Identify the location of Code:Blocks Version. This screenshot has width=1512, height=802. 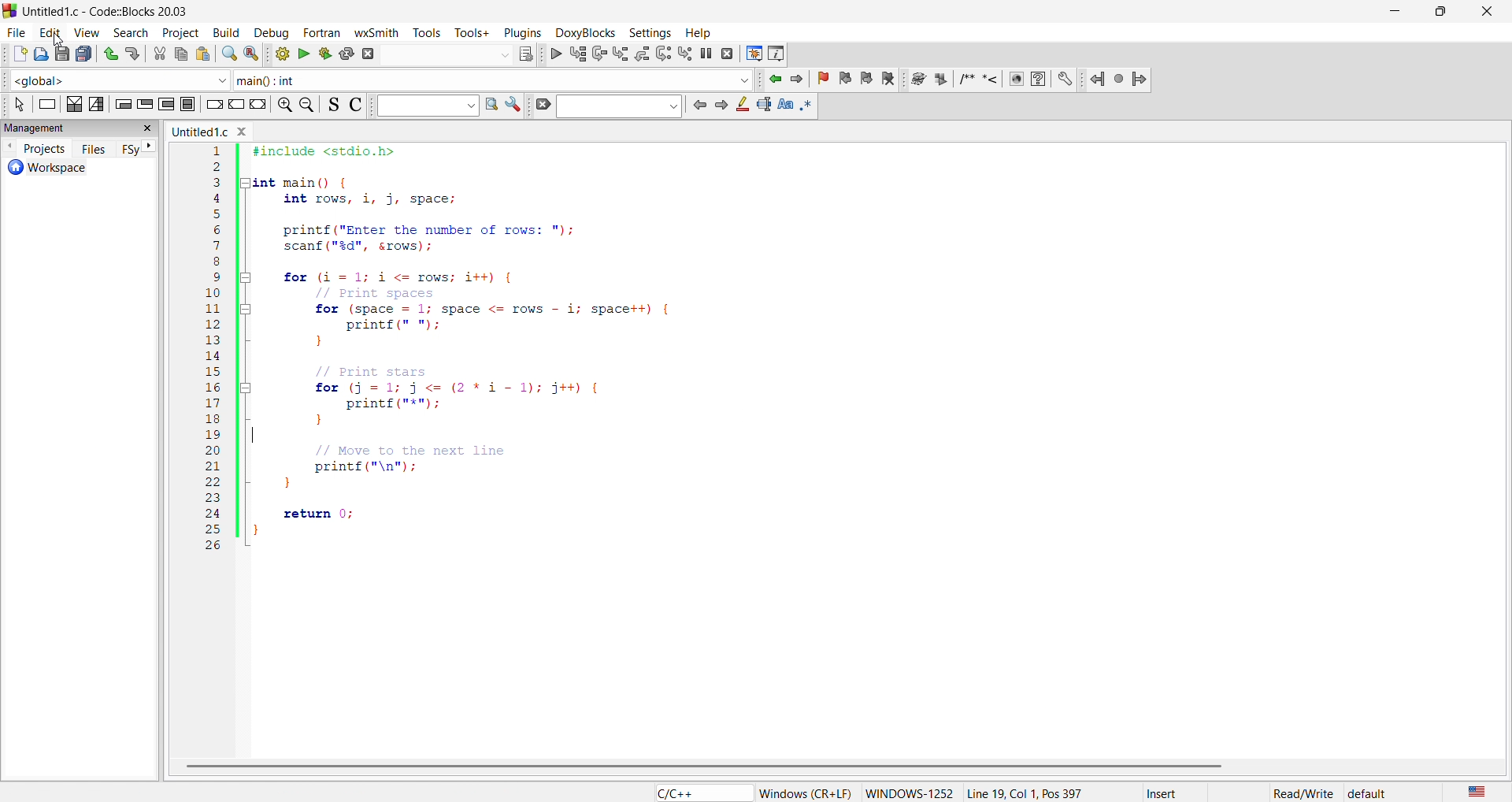
(140, 12).